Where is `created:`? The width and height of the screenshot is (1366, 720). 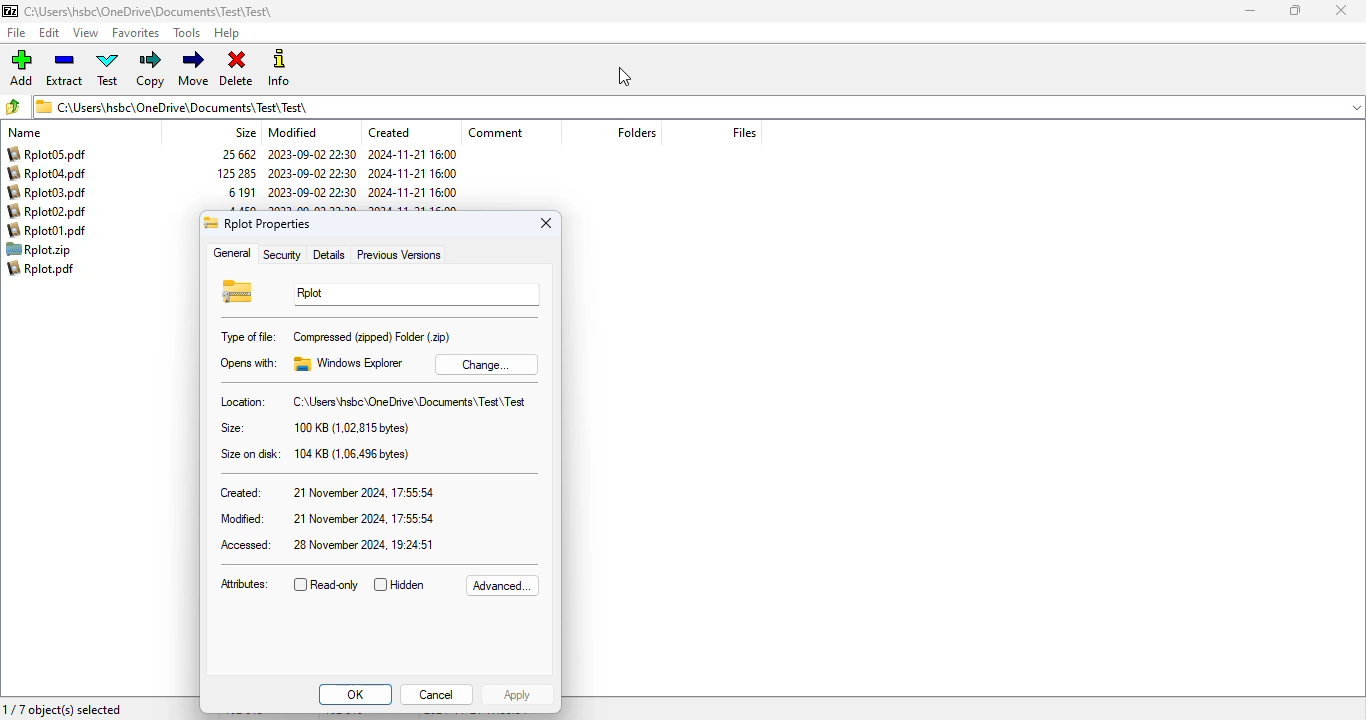 created: is located at coordinates (240, 493).